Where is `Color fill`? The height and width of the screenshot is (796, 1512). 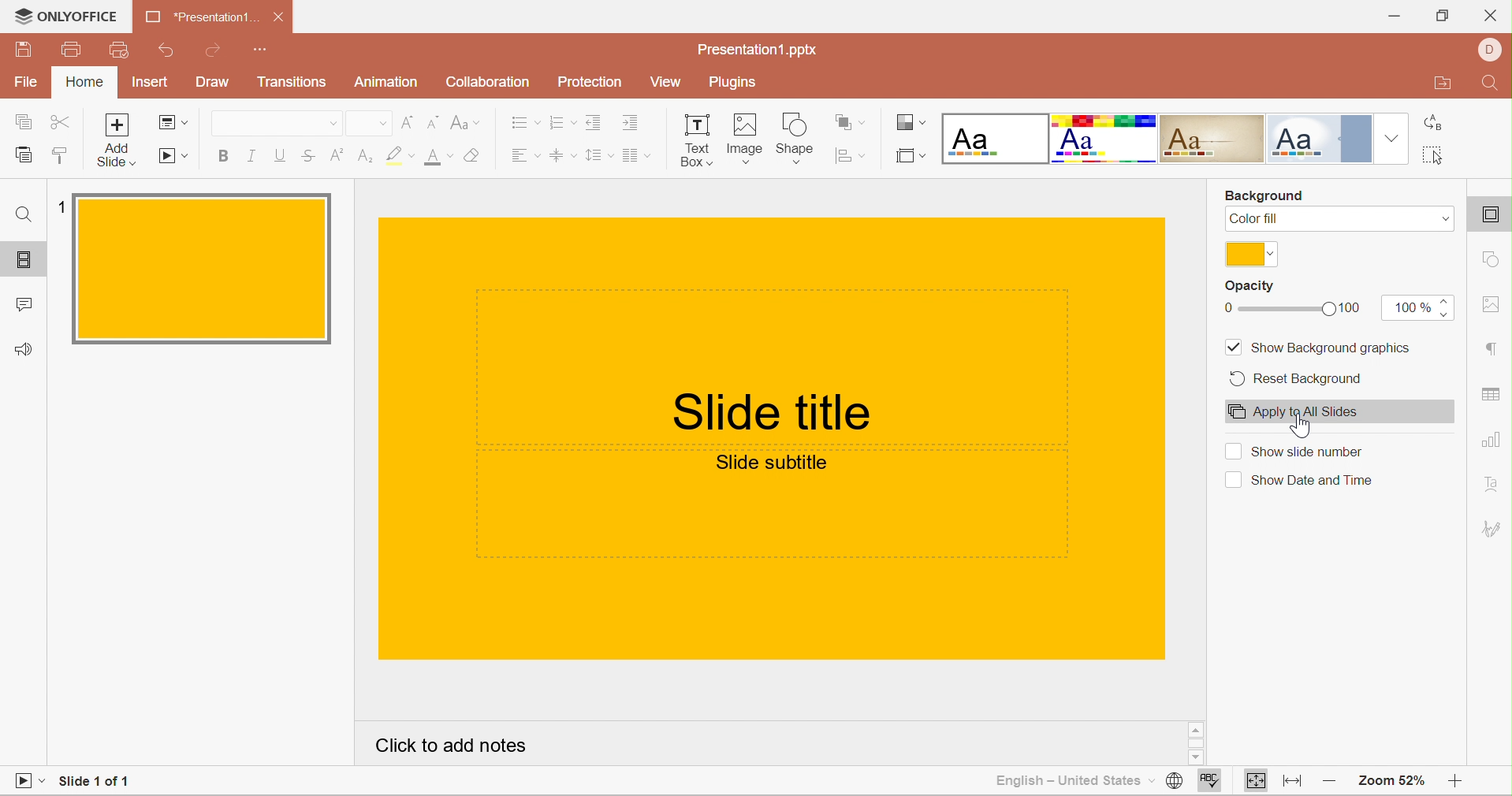 Color fill is located at coordinates (1256, 221).